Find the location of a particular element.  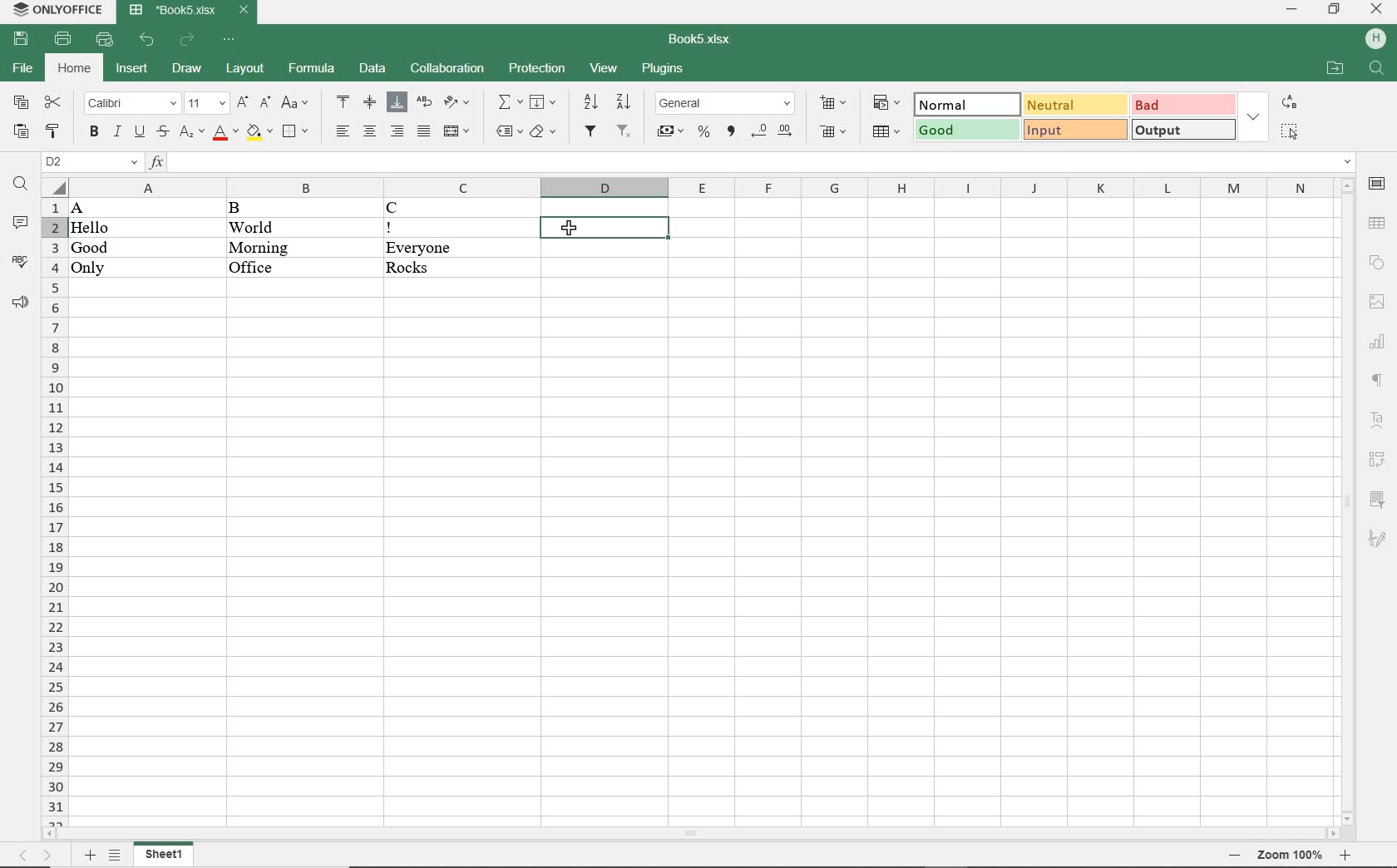

REPLACE is located at coordinates (1290, 103).